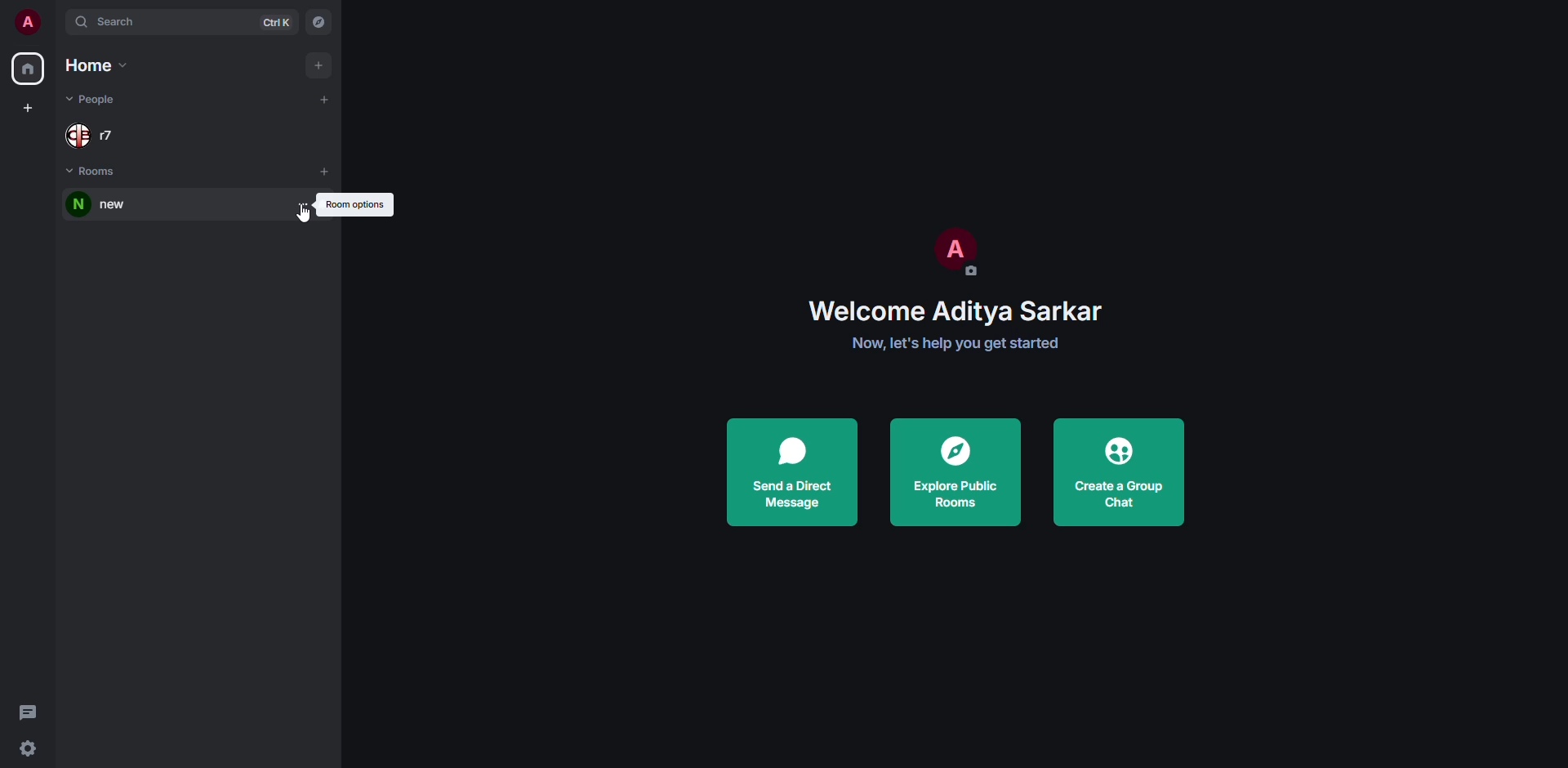  Describe the element at coordinates (319, 23) in the screenshot. I see `navigator` at that location.